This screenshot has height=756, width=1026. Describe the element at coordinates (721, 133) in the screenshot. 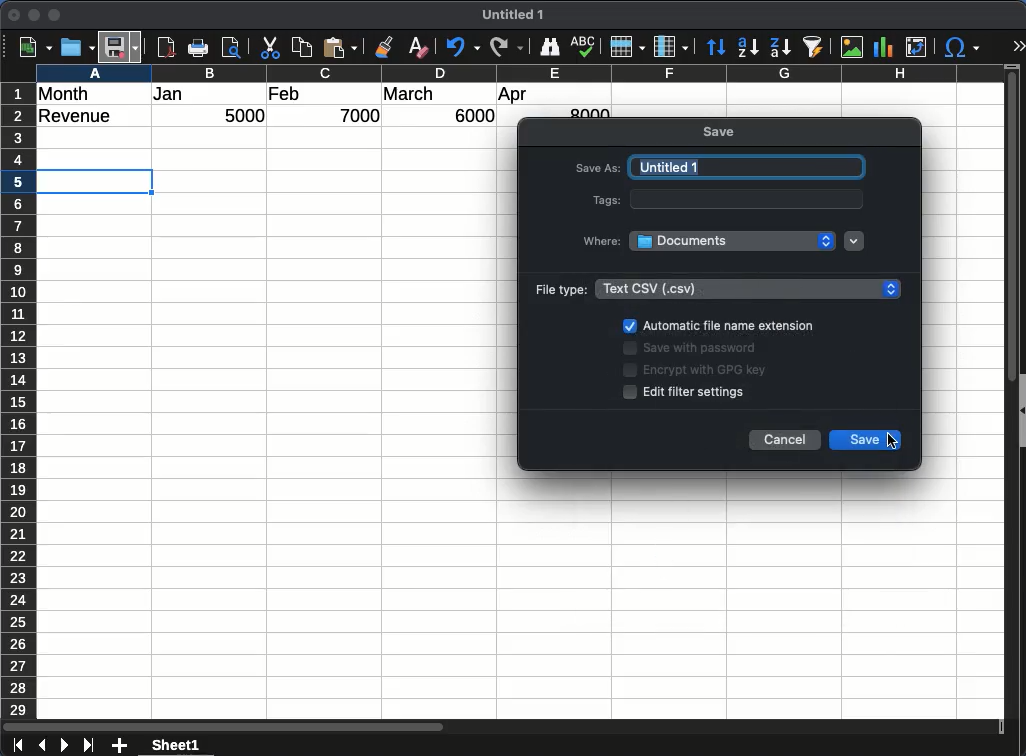

I see `save` at that location.